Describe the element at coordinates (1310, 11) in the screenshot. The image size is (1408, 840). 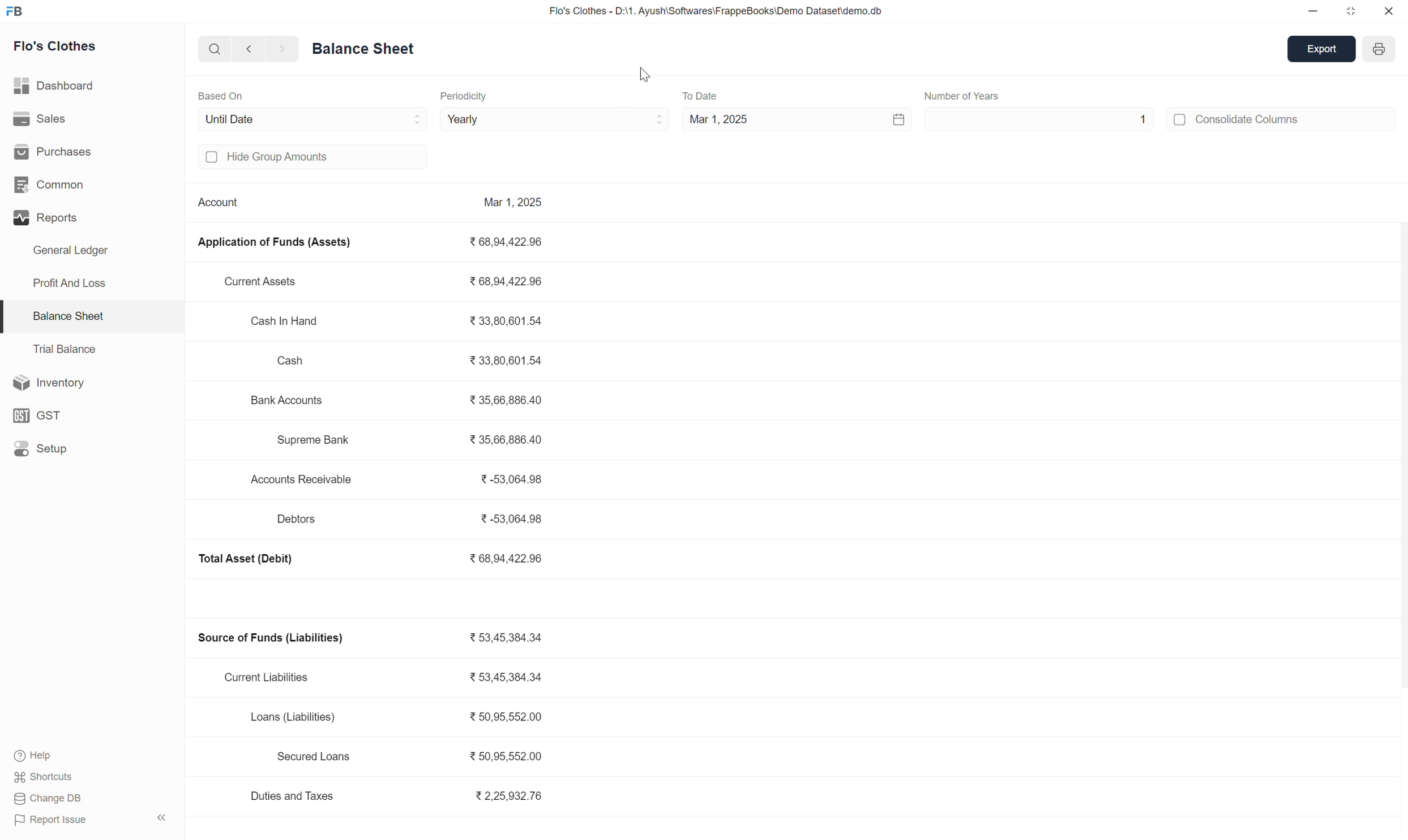
I see `minimize` at that location.